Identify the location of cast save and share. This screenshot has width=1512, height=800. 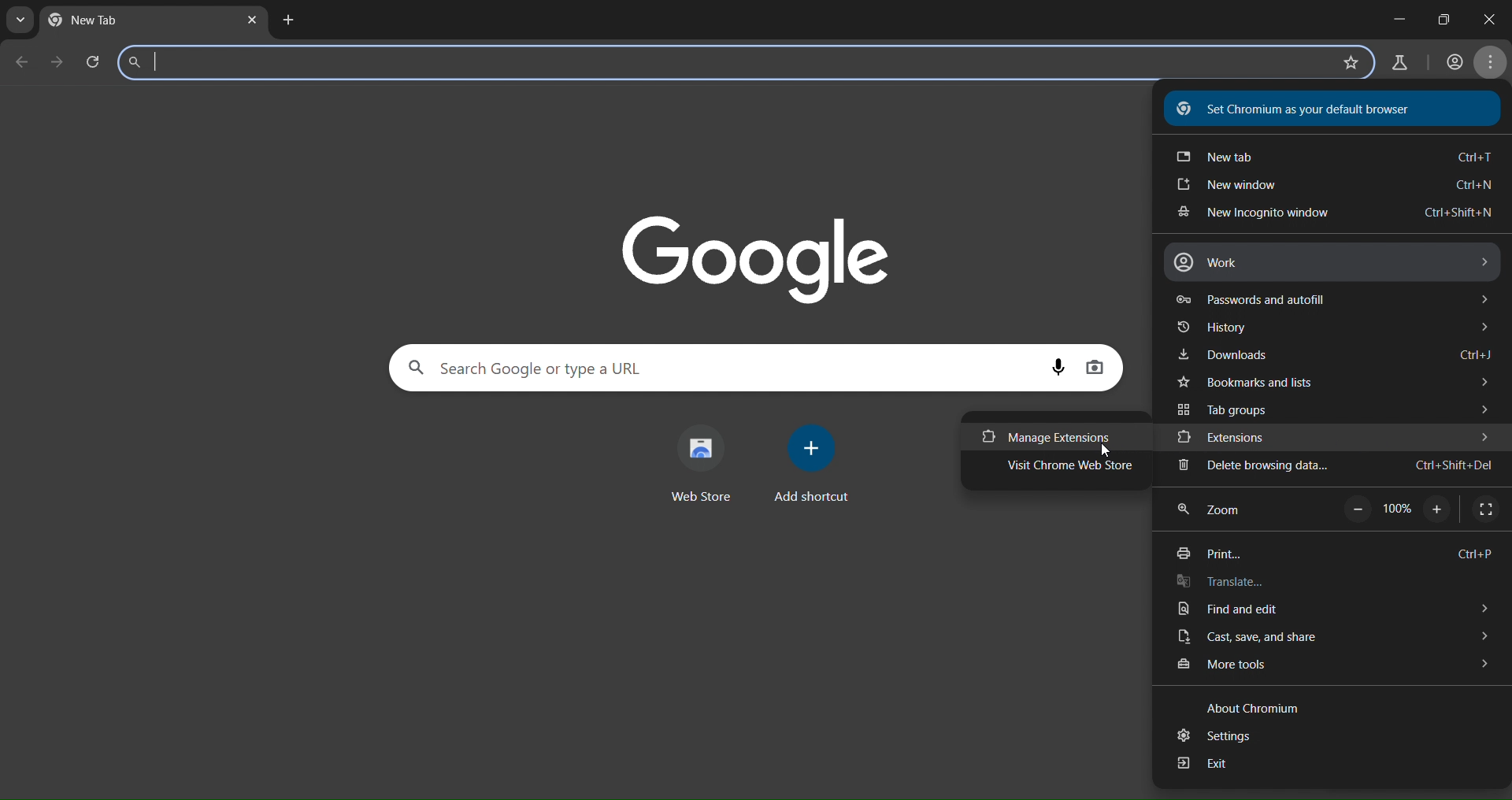
(1339, 639).